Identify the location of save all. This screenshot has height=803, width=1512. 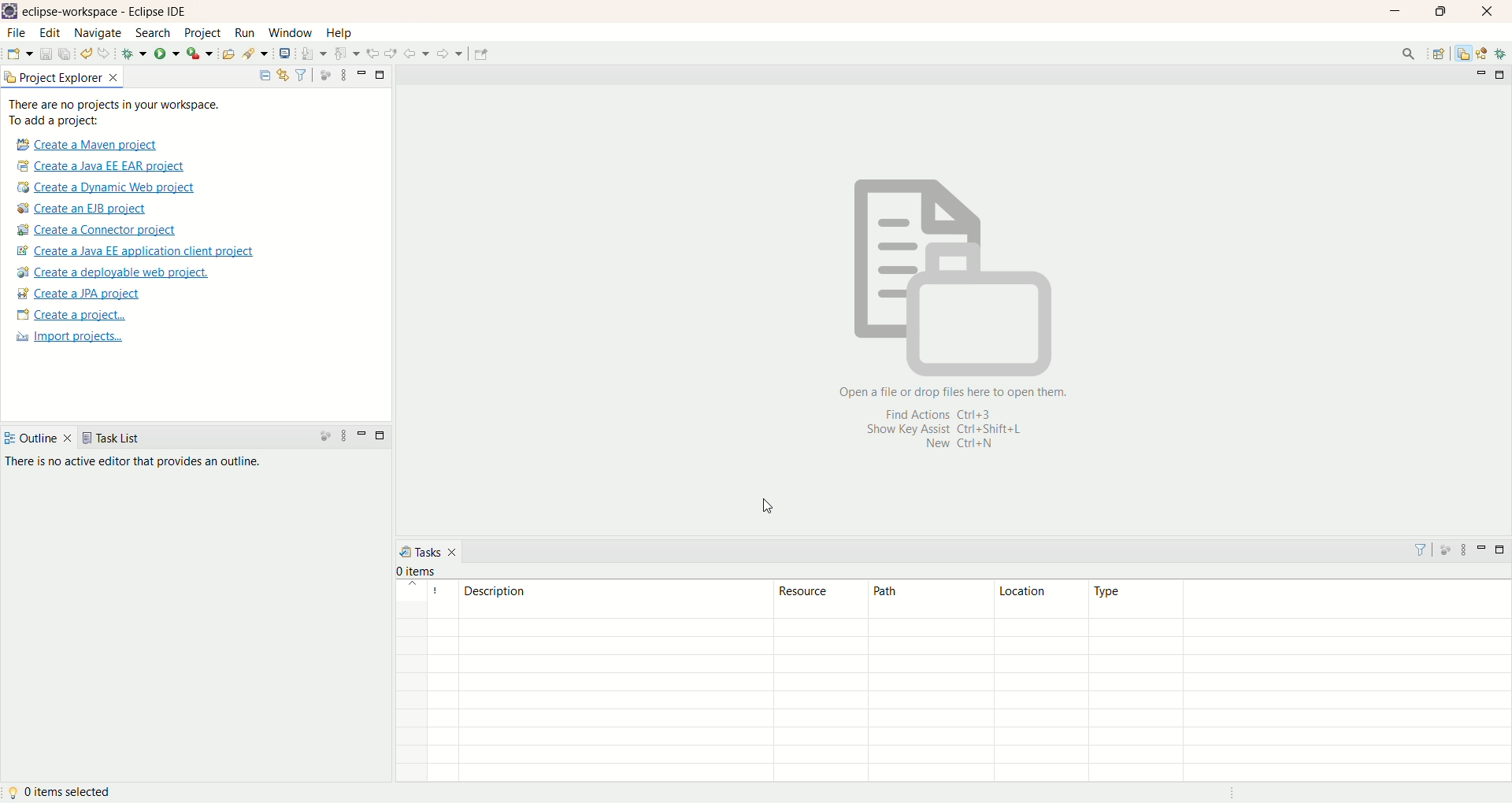
(65, 53).